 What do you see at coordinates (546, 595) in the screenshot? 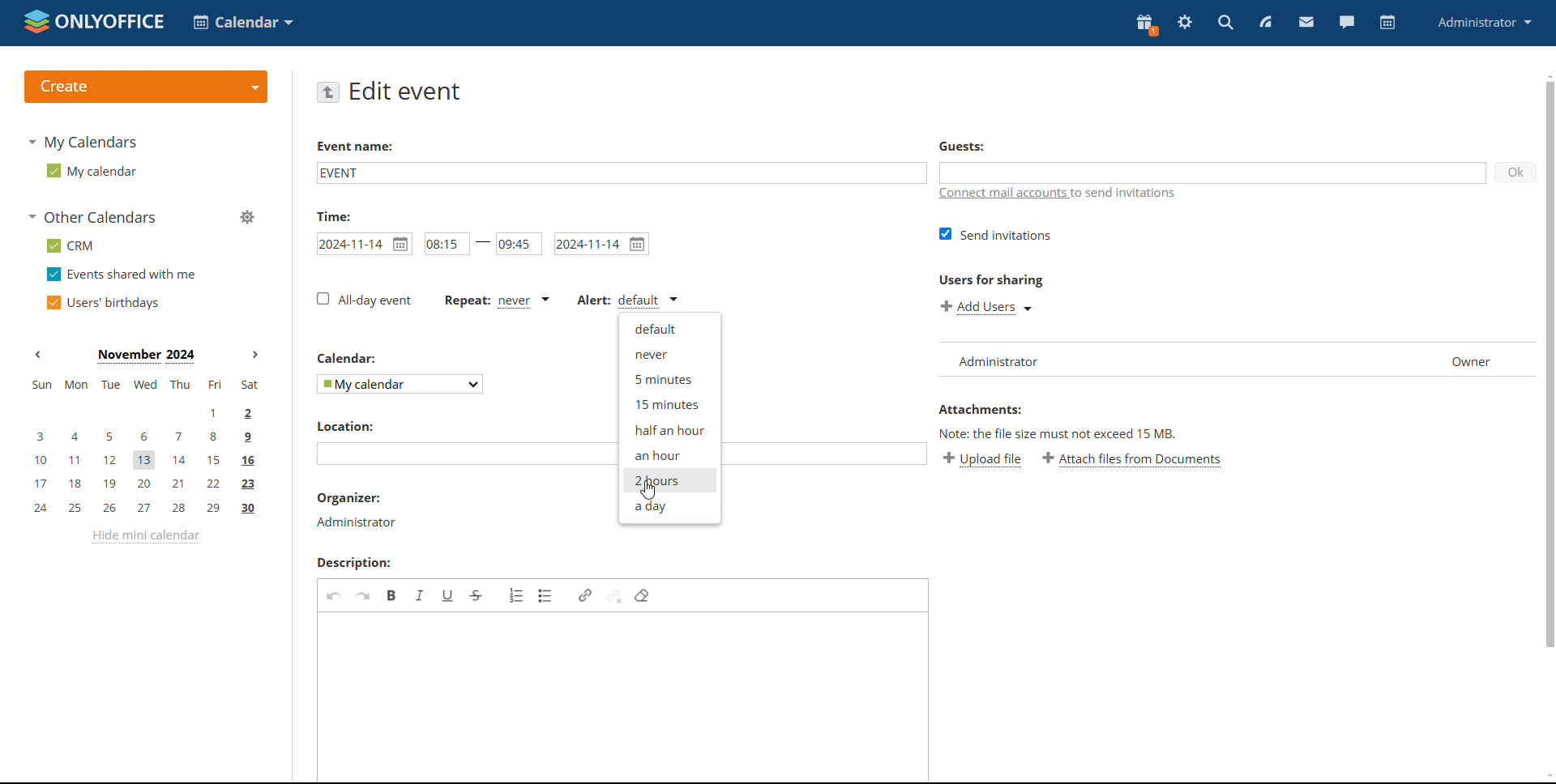
I see `insert/remove bulleted list` at bounding box center [546, 595].